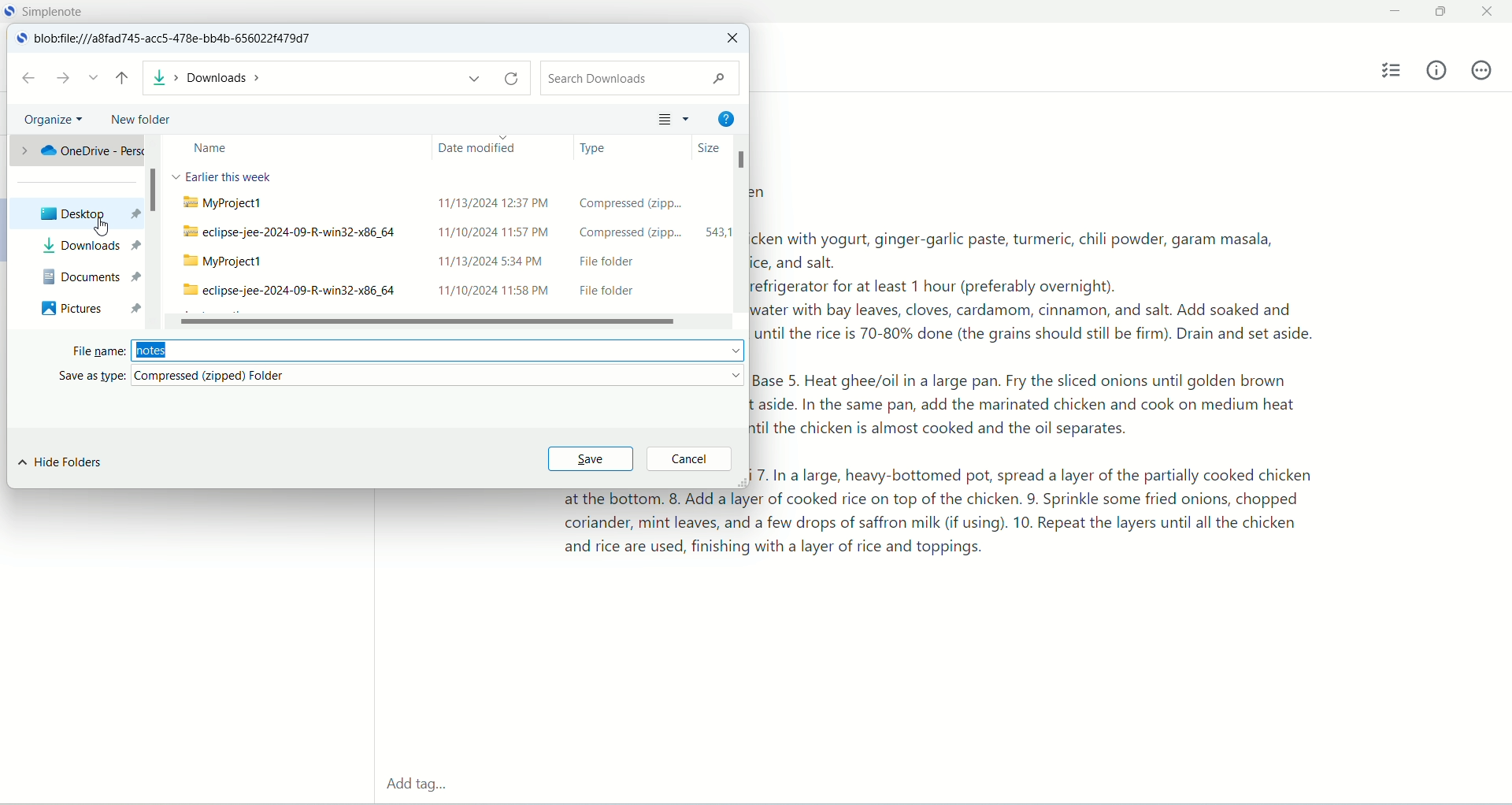 This screenshot has height=805, width=1512. Describe the element at coordinates (1490, 9) in the screenshot. I see `close` at that location.